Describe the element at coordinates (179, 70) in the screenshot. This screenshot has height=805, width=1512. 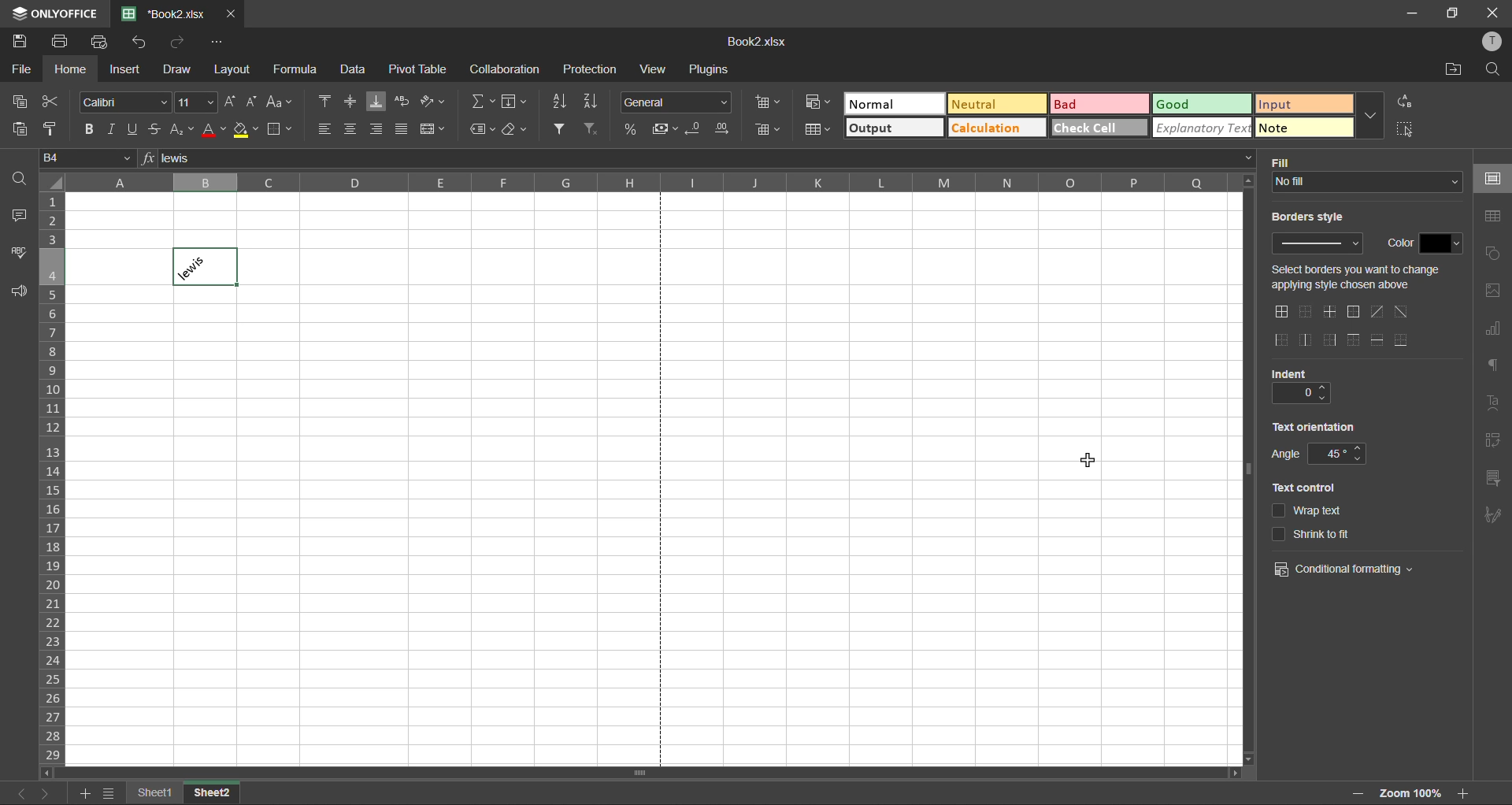
I see `draw` at that location.